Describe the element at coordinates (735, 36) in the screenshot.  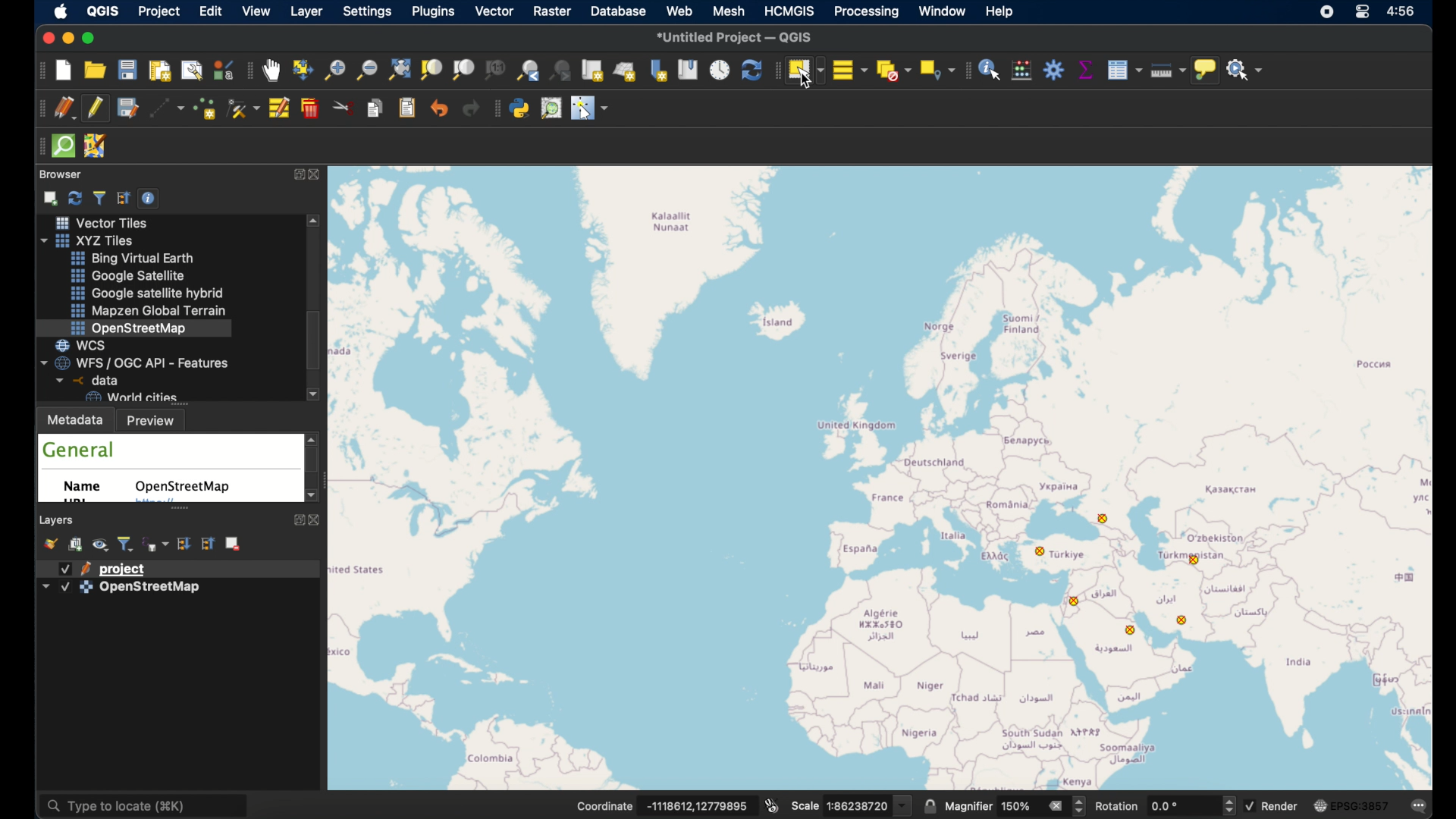
I see `untitled project - QGIS` at that location.